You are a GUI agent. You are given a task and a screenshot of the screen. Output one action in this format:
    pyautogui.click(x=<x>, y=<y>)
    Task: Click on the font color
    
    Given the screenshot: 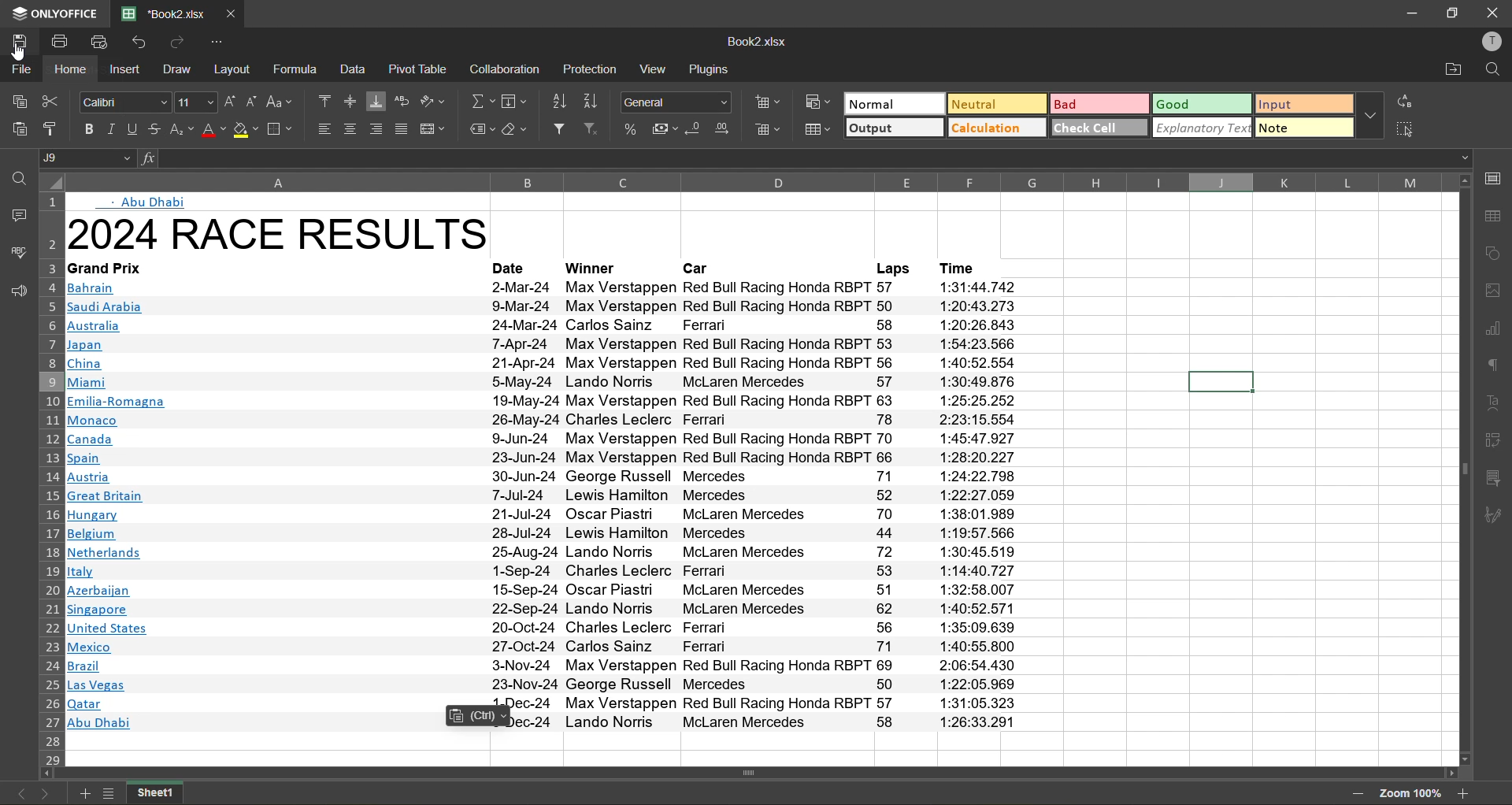 What is the action you would take?
    pyautogui.click(x=217, y=128)
    